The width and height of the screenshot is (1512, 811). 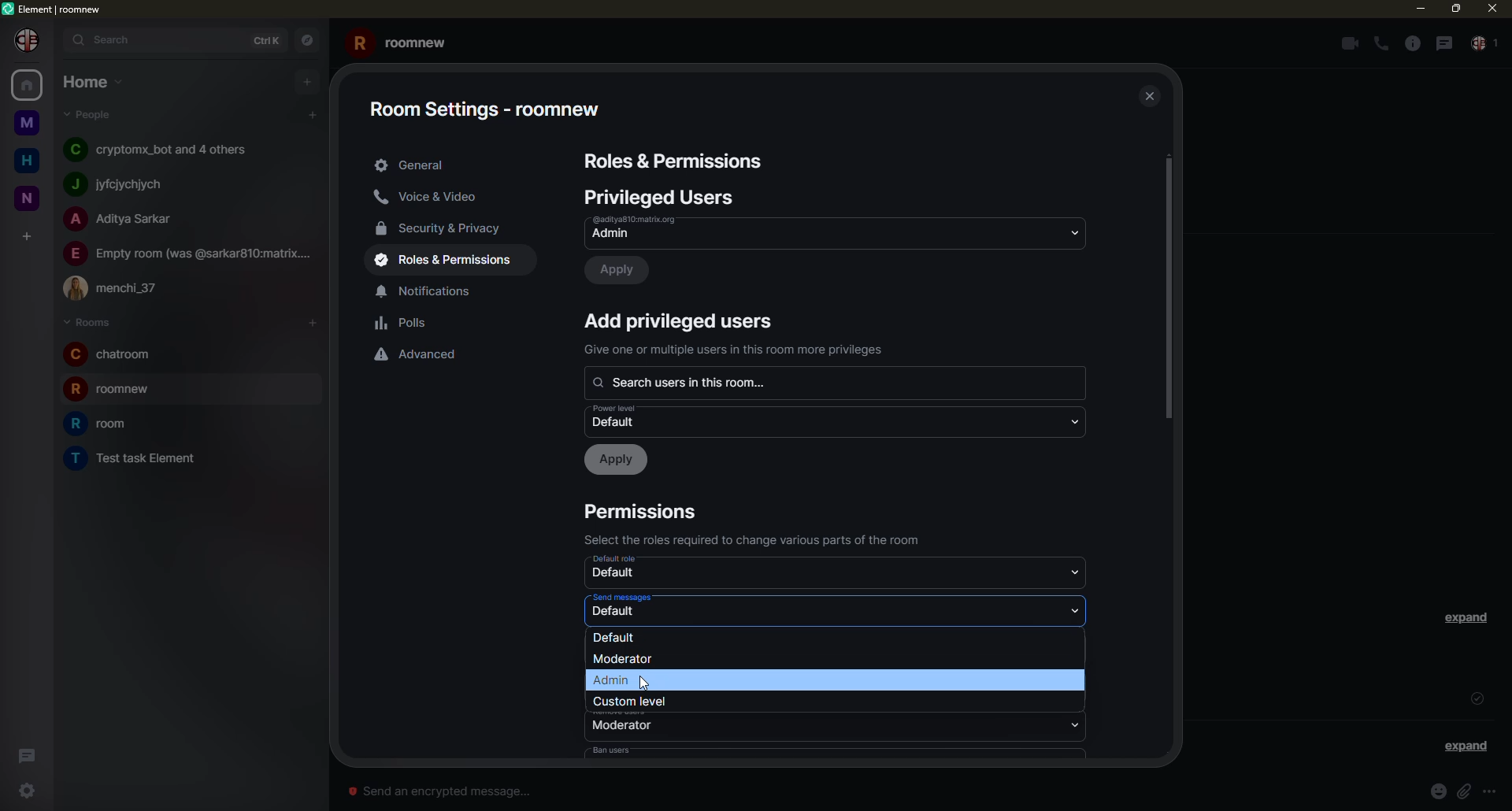 I want to click on advaced, so click(x=421, y=354).